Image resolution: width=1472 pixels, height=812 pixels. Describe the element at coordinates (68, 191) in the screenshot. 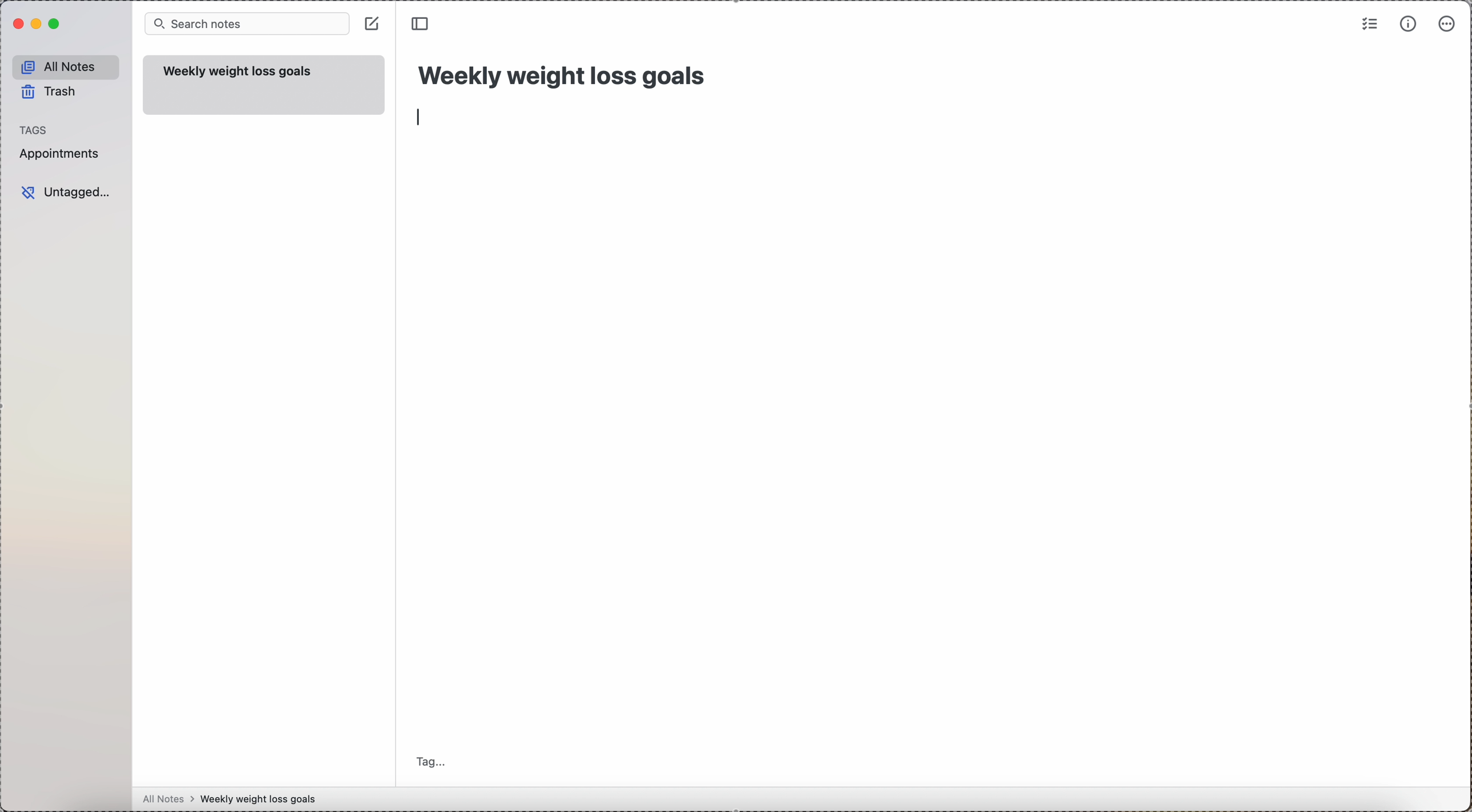

I see `untagged` at that location.